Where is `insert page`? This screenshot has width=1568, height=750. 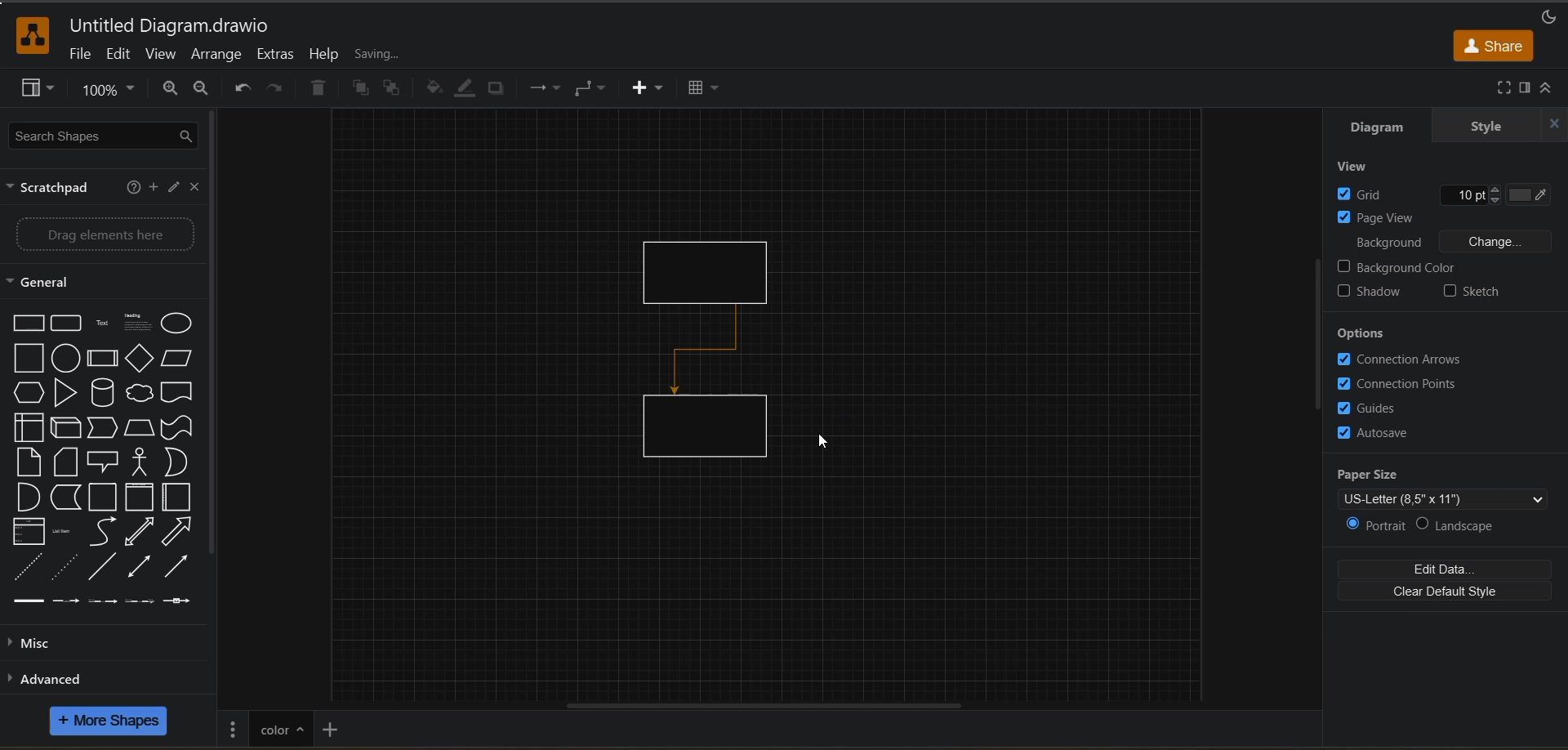
insert page is located at coordinates (332, 728).